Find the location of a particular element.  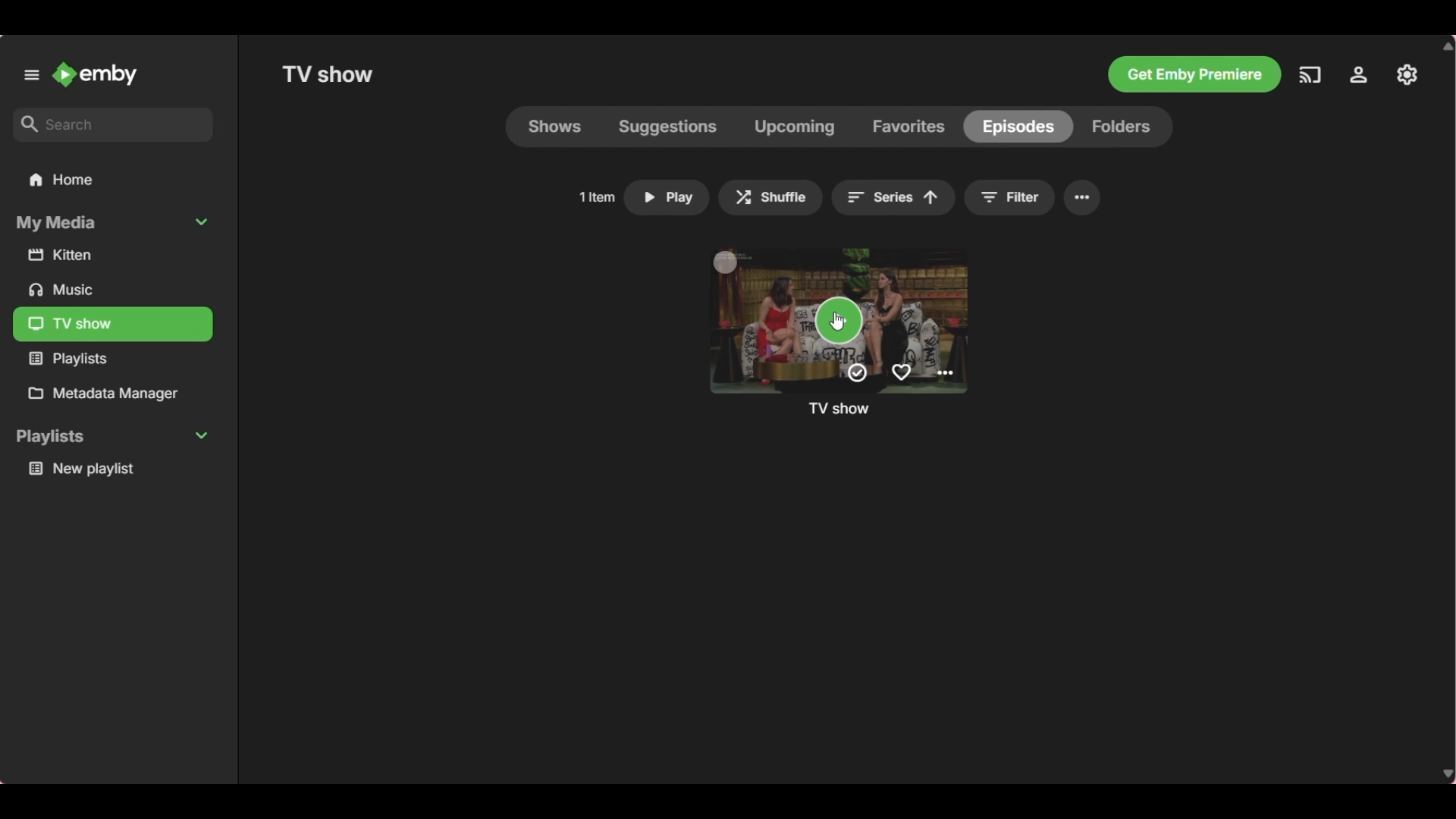

cursor is located at coordinates (839, 324).